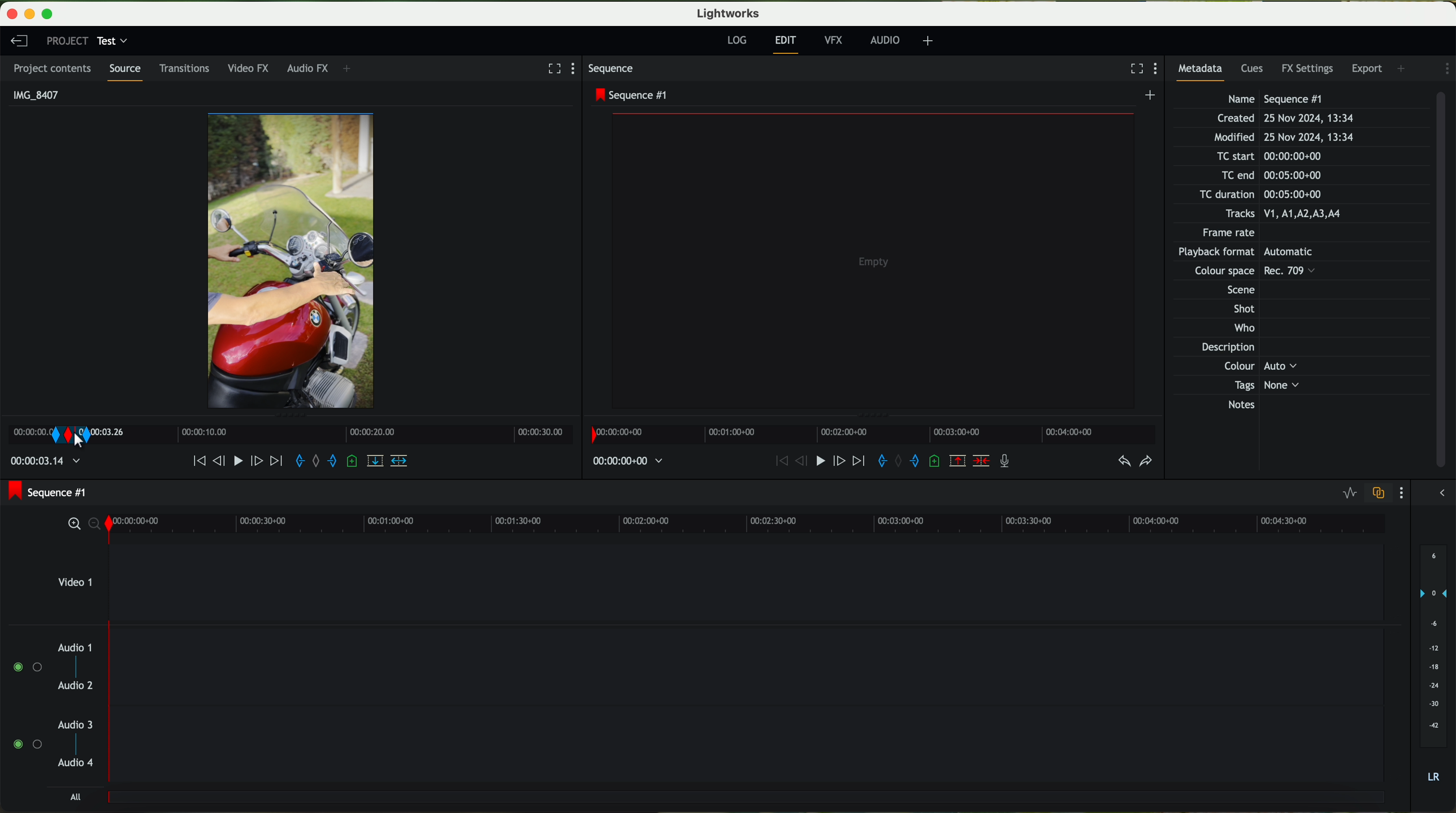 This screenshot has width=1456, height=813. Describe the element at coordinates (86, 41) in the screenshot. I see `project: test` at that location.